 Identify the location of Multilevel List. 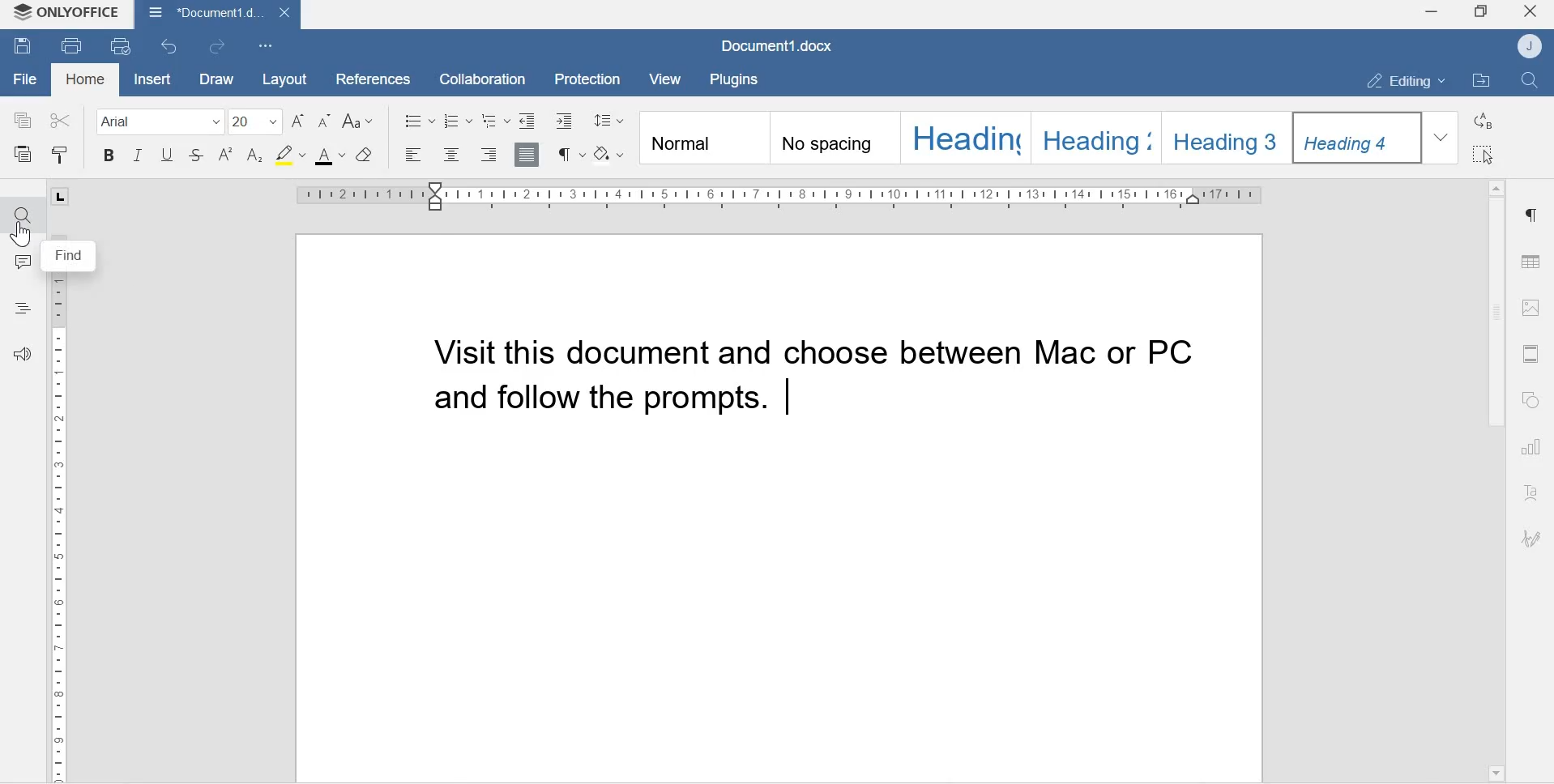
(495, 120).